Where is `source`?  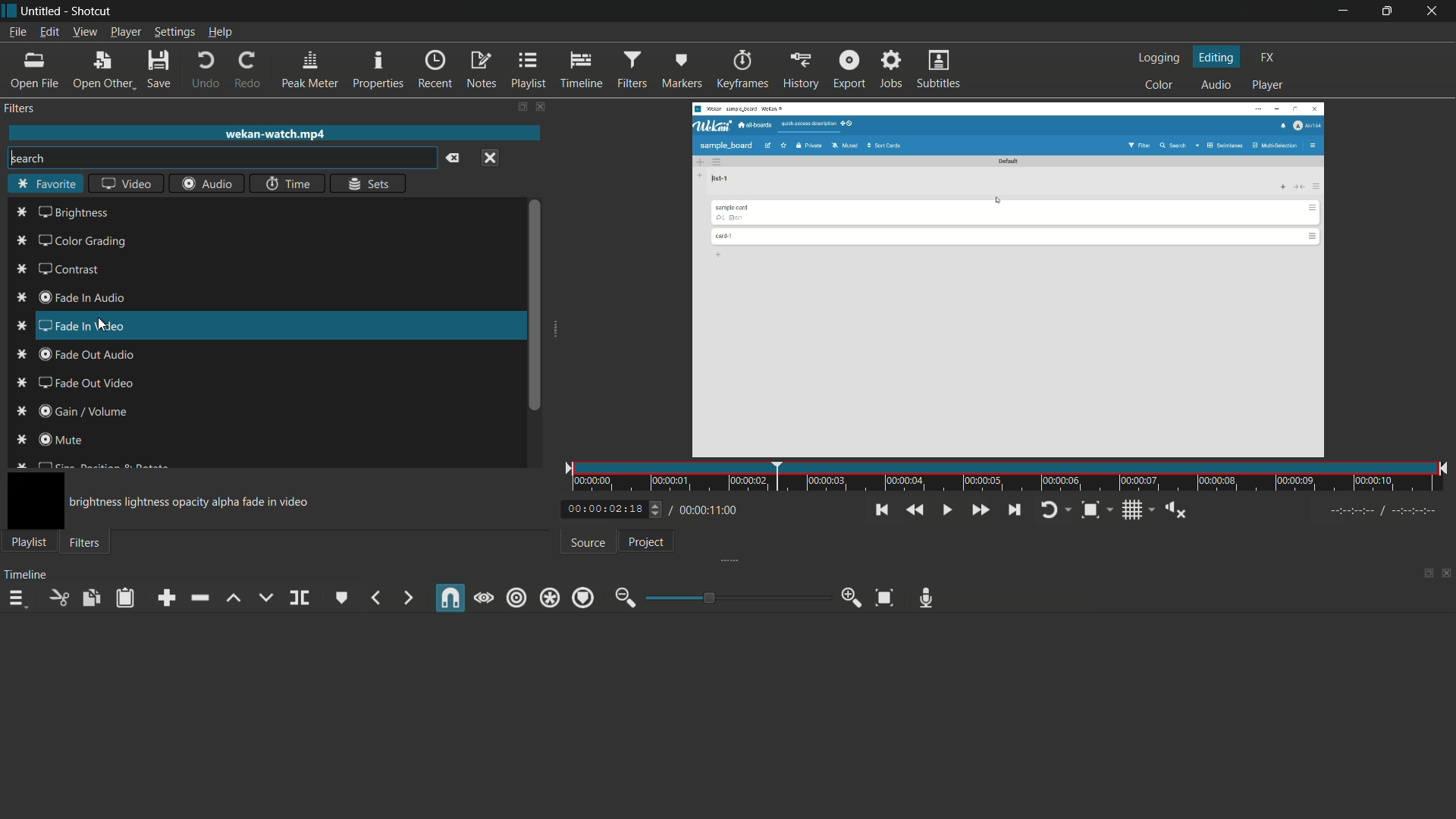 source is located at coordinates (588, 544).